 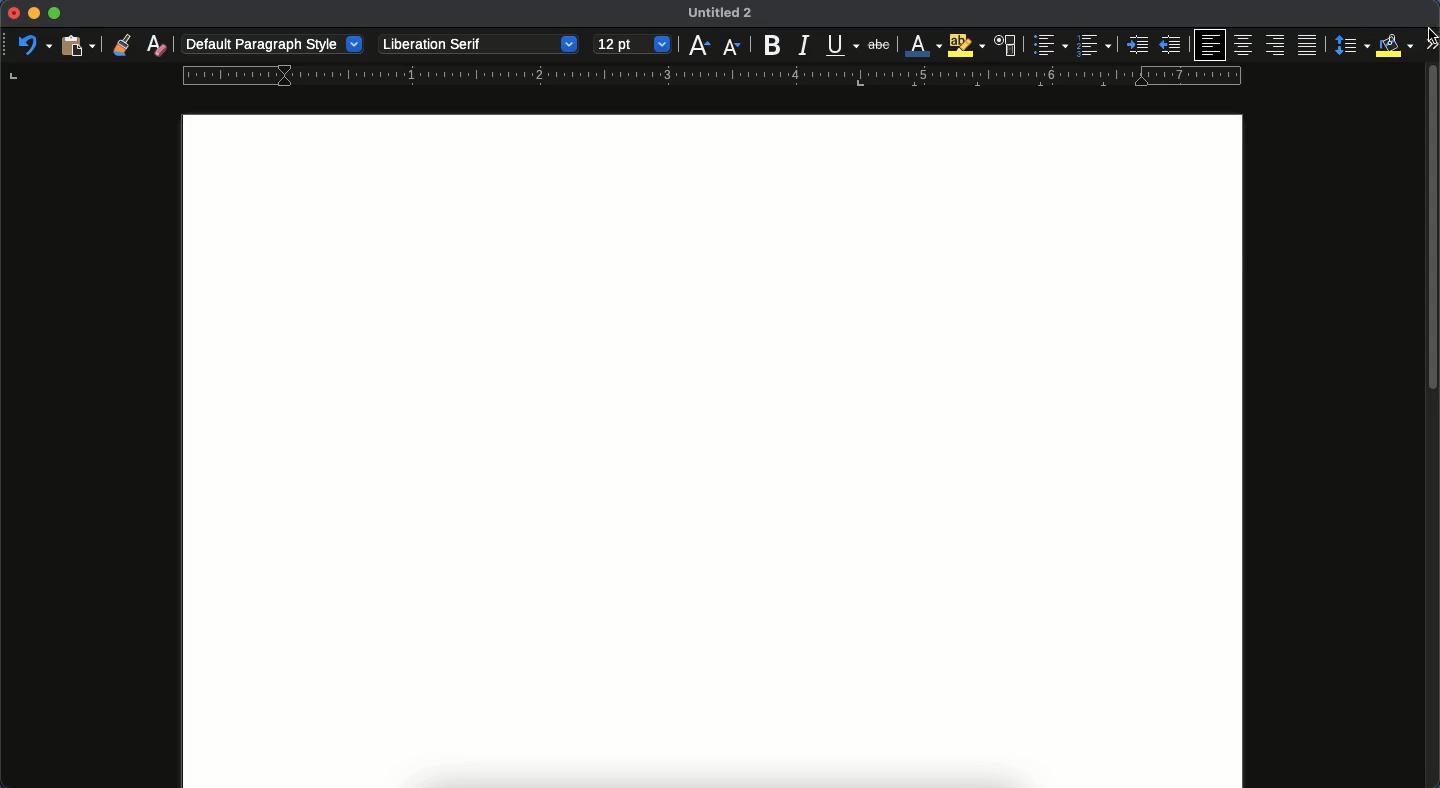 I want to click on underline, so click(x=842, y=46).